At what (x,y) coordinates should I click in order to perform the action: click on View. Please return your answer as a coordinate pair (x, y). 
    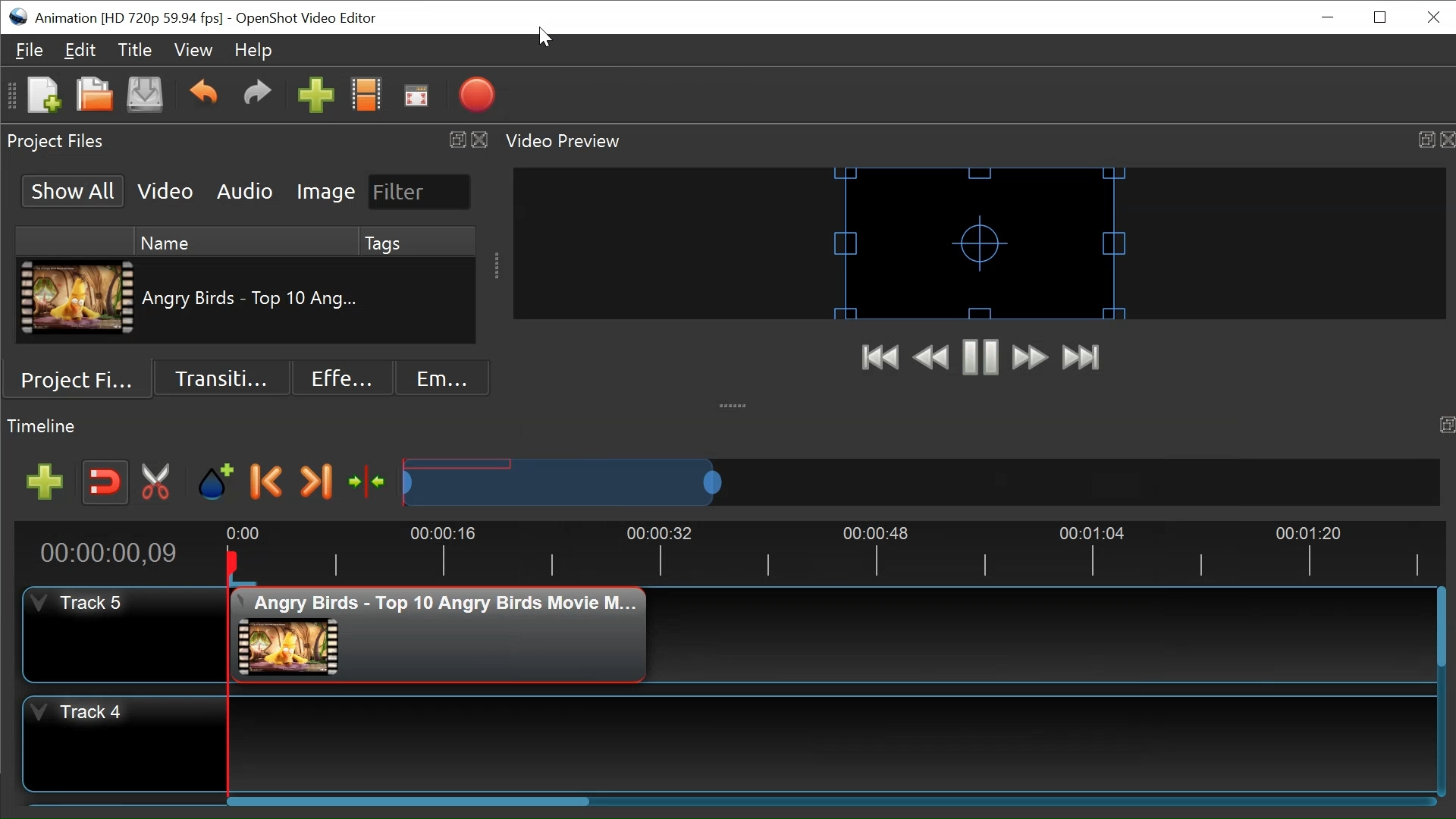
    Looking at the image, I should click on (193, 50).